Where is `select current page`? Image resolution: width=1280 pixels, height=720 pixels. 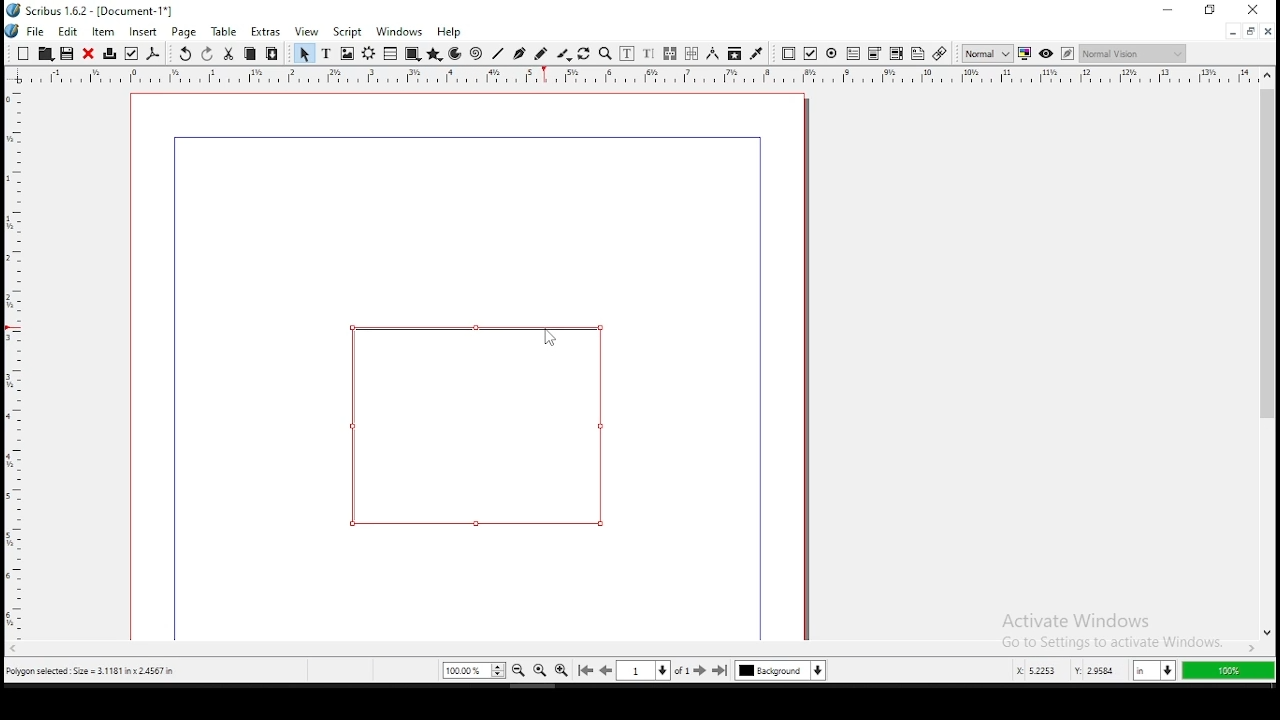 select current page is located at coordinates (643, 670).